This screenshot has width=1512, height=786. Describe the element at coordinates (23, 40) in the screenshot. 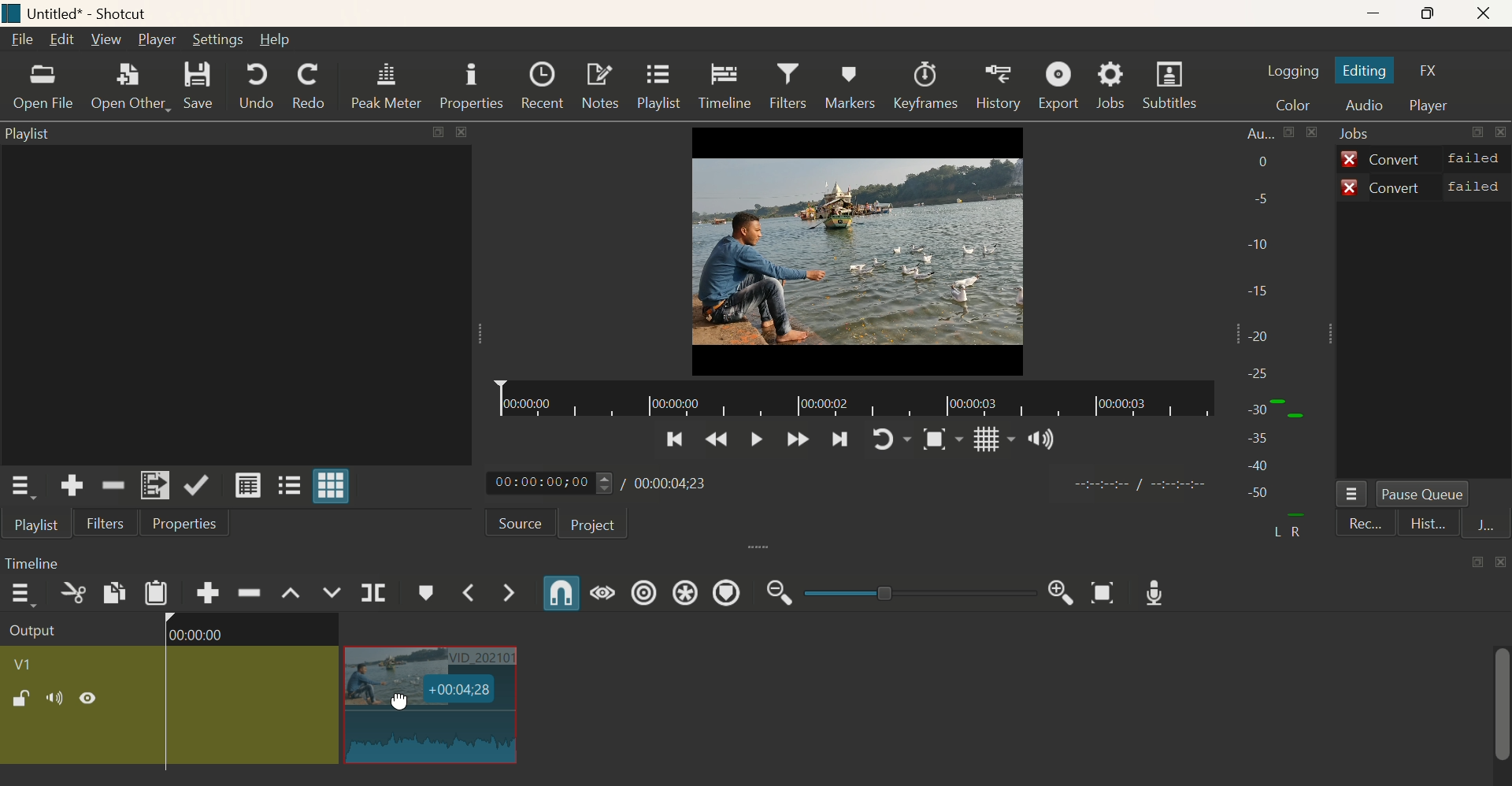

I see `` at that location.